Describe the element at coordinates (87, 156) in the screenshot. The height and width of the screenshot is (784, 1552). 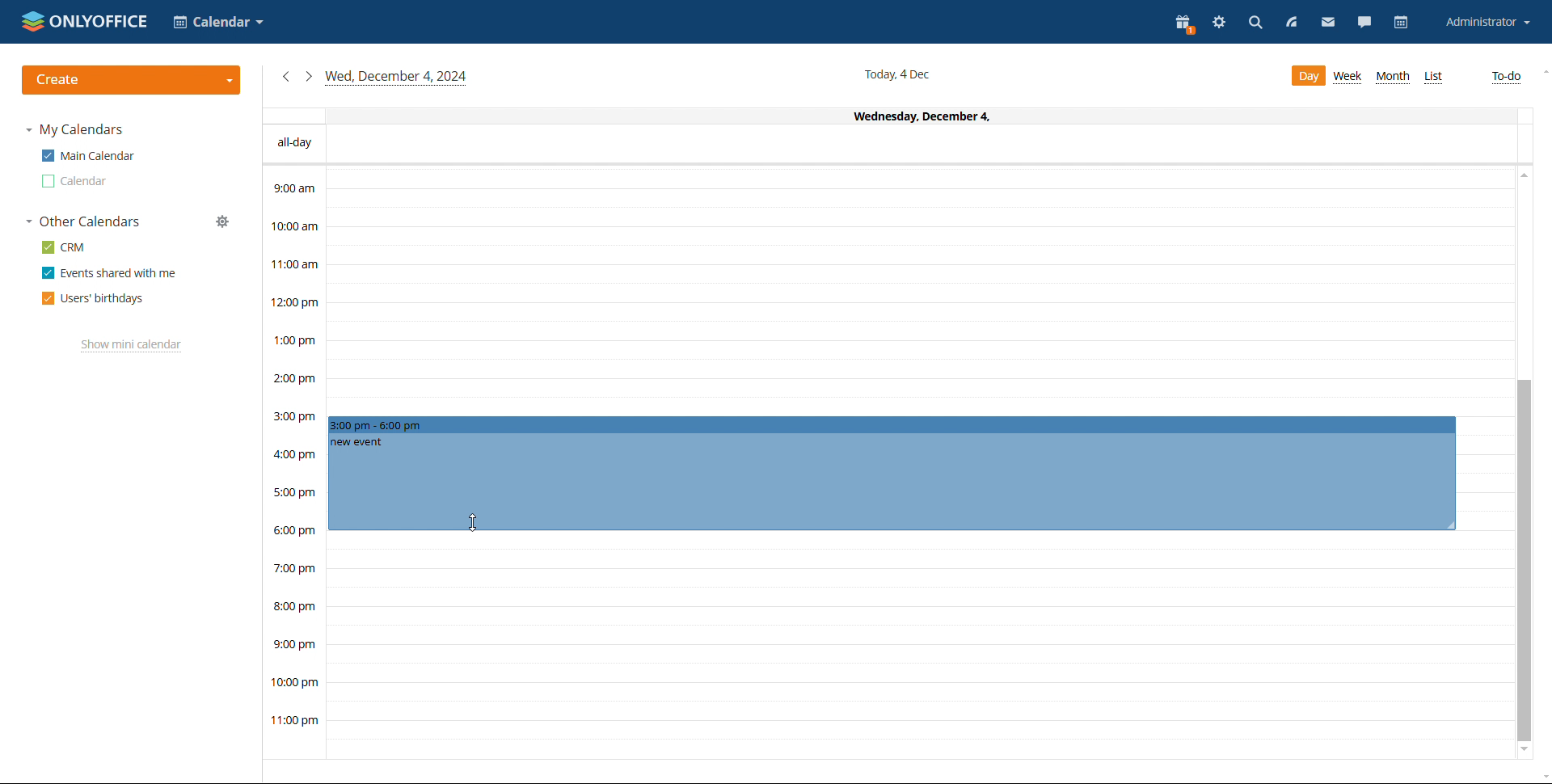
I see `main calendars` at that location.